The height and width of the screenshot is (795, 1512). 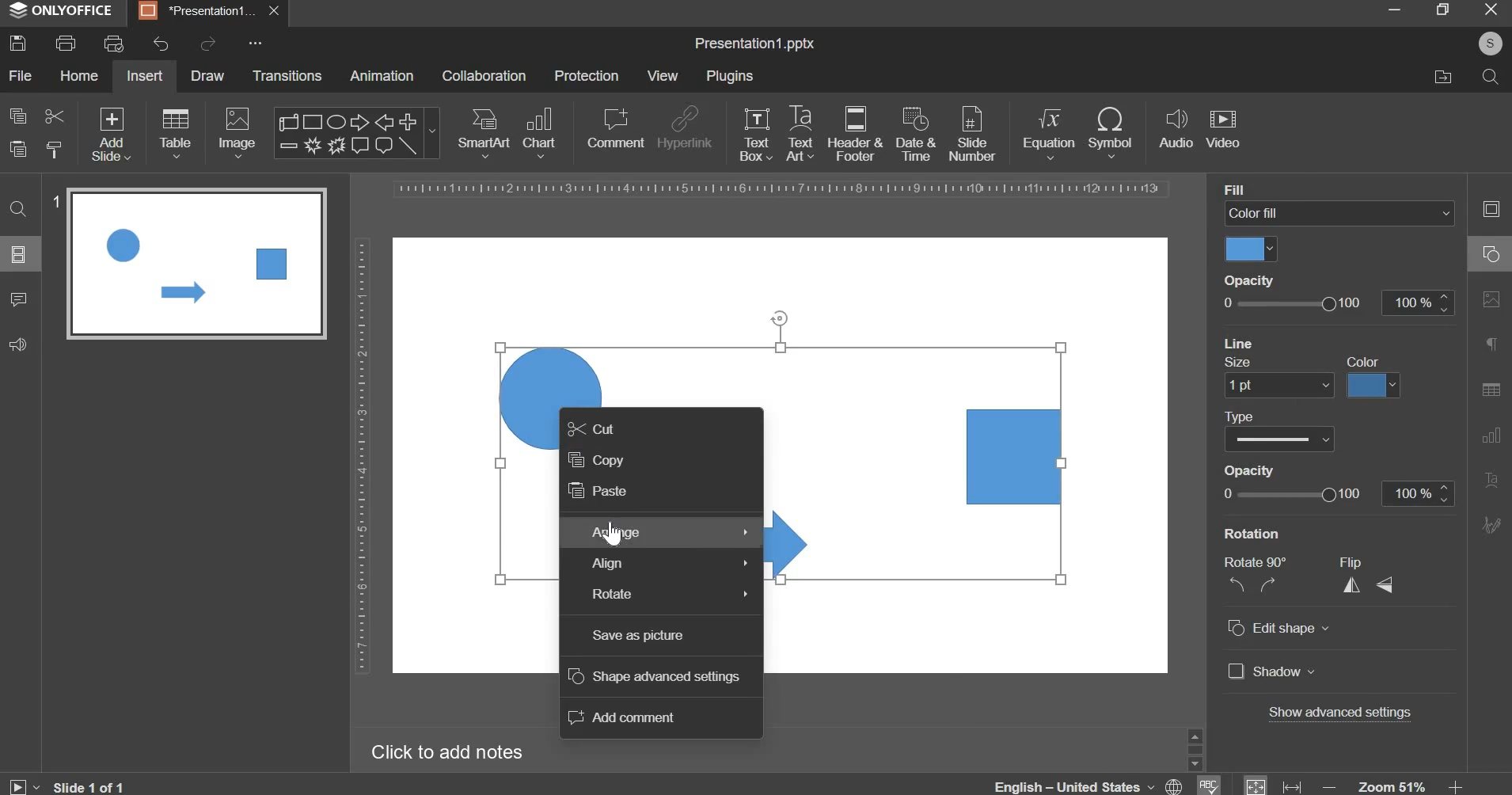 What do you see at coordinates (1234, 587) in the screenshot?
I see `rotate left 90` at bounding box center [1234, 587].